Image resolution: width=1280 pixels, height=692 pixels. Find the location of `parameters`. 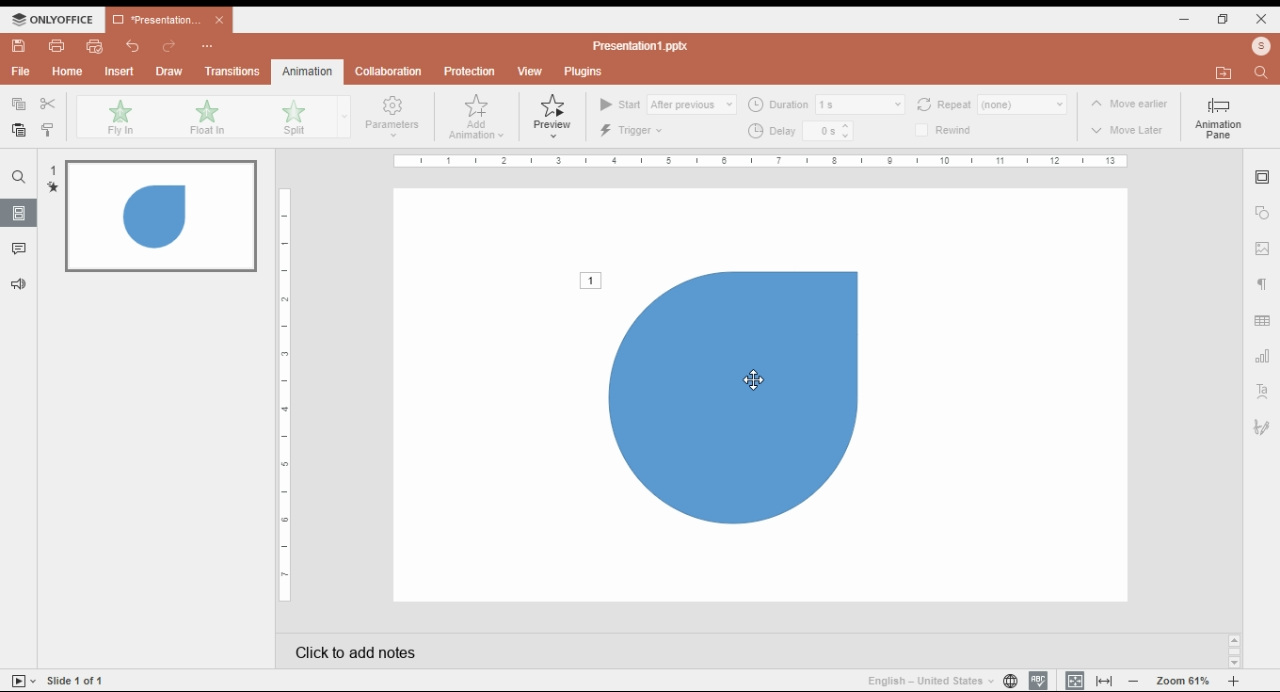

parameters is located at coordinates (390, 116).